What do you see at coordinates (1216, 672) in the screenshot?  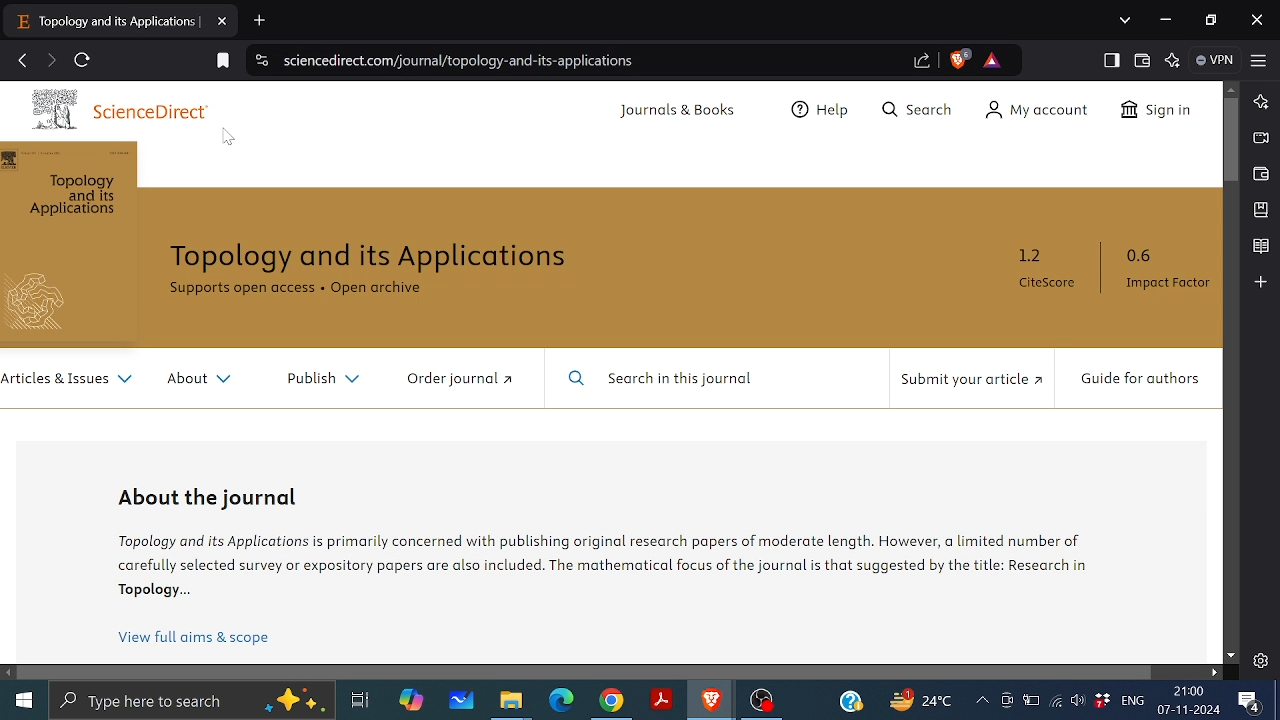 I see `Move right` at bounding box center [1216, 672].